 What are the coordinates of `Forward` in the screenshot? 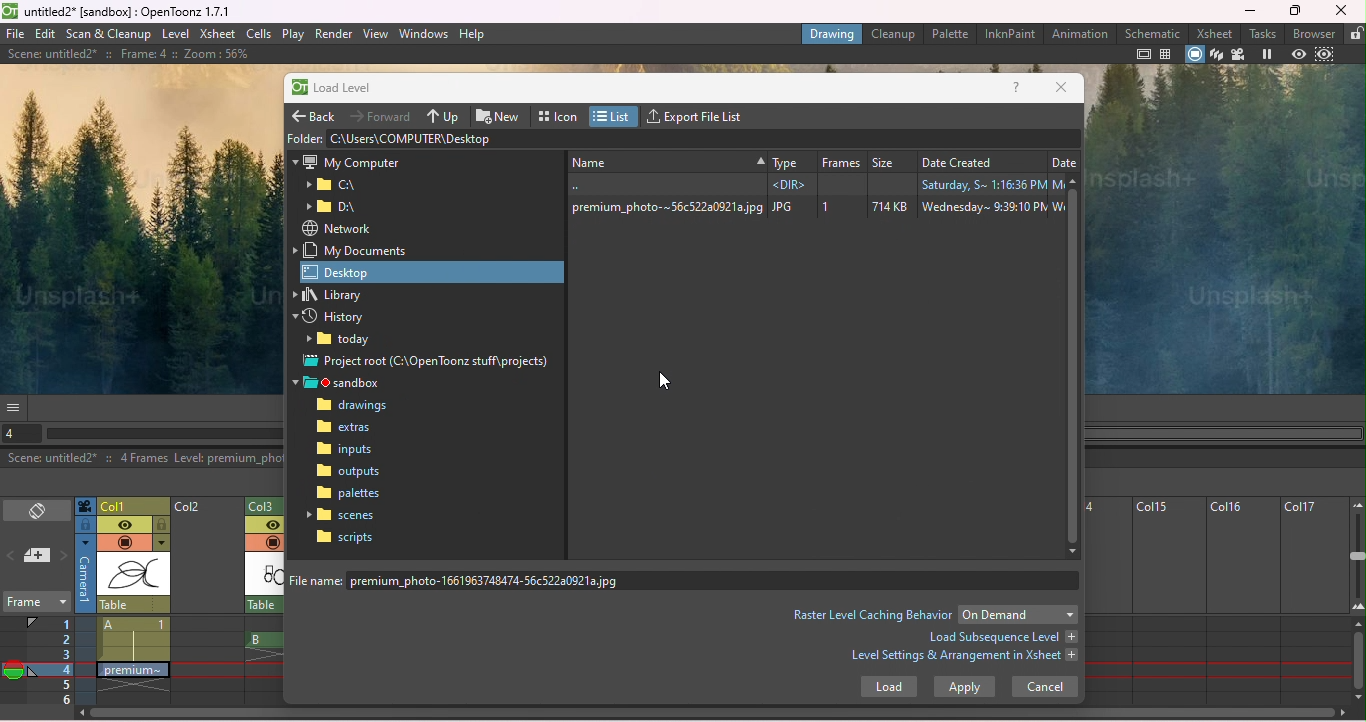 It's located at (383, 115).